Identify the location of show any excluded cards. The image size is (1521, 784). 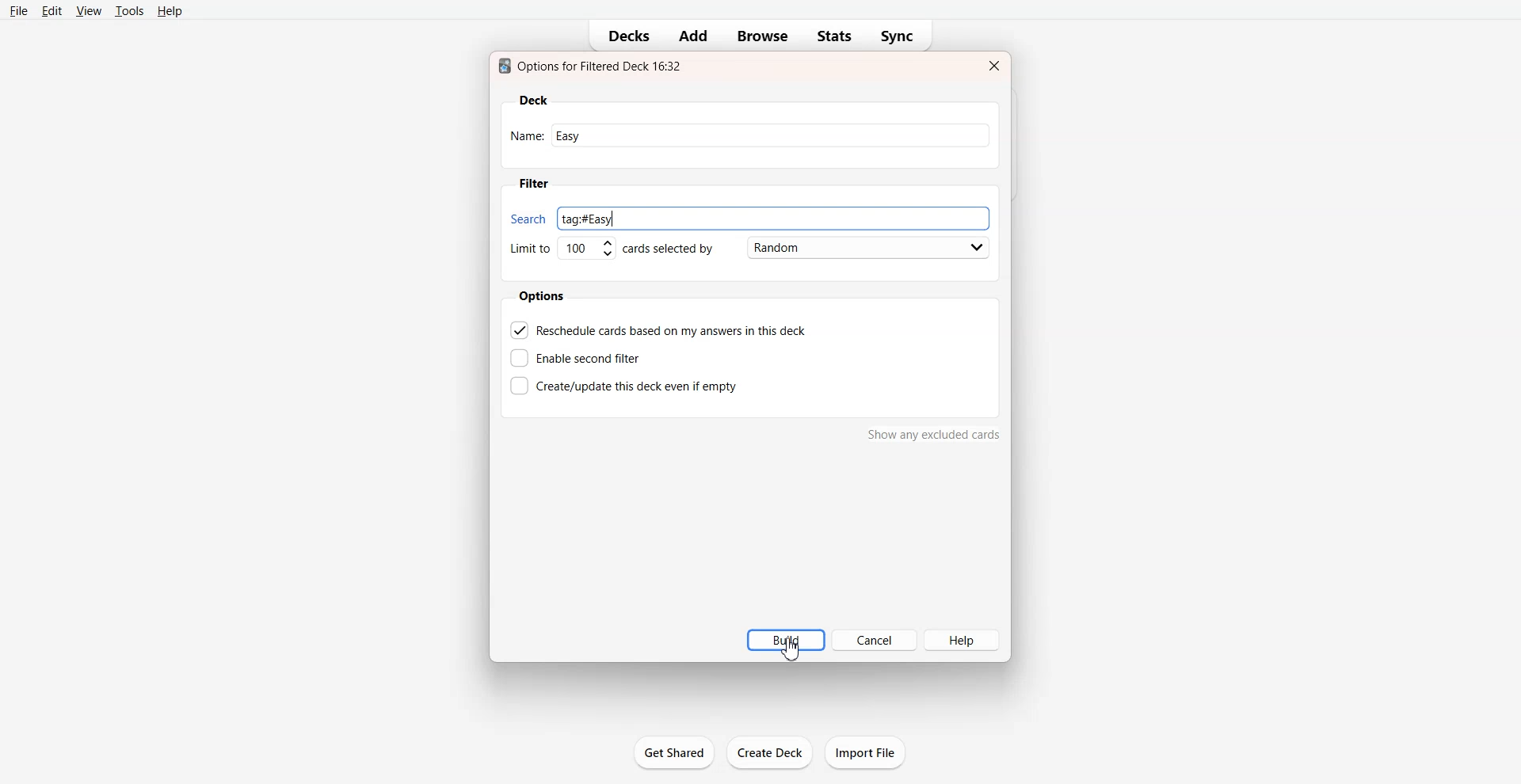
(934, 438).